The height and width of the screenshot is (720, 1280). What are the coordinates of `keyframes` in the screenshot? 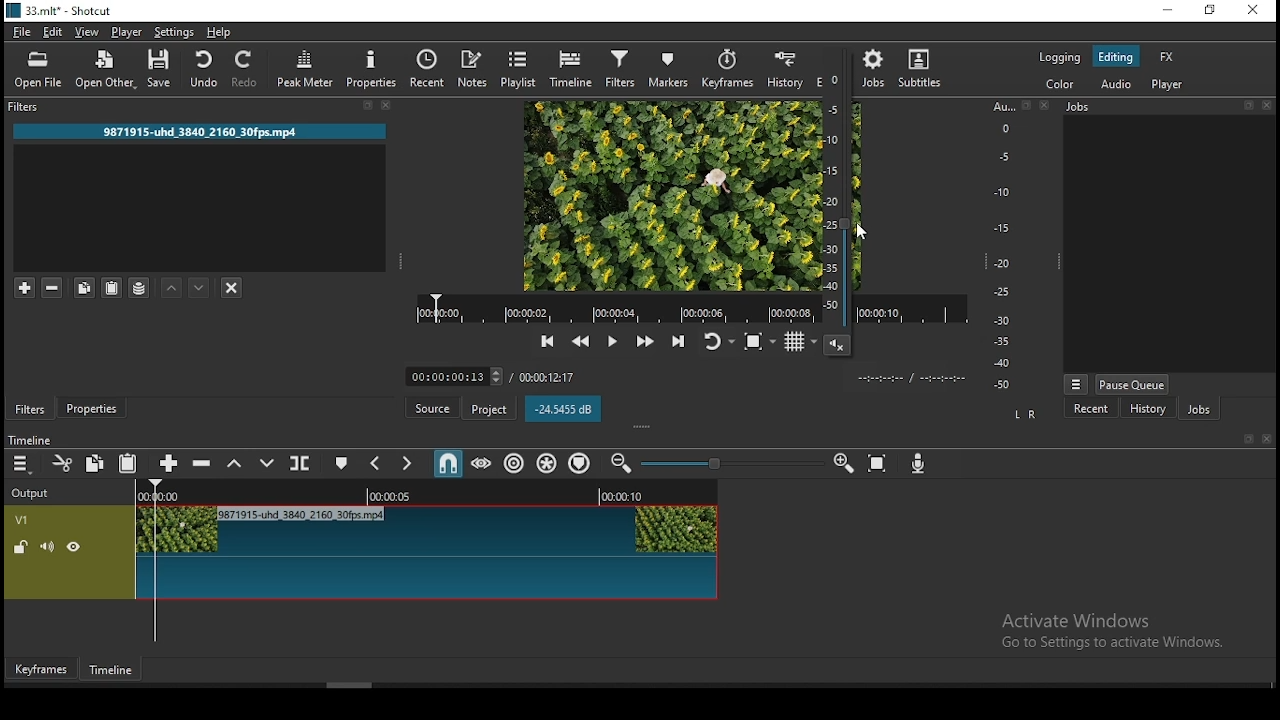 It's located at (45, 668).